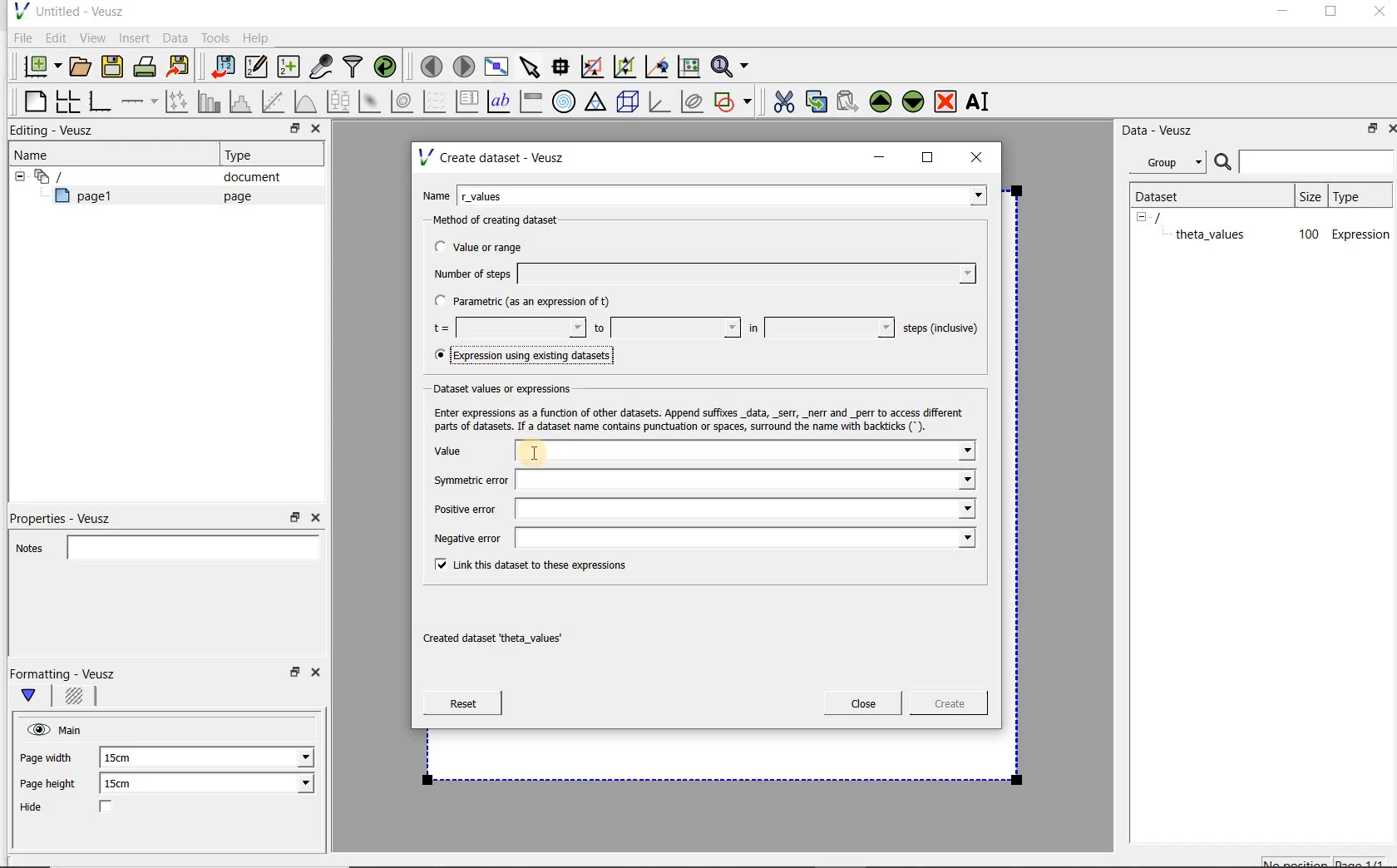  Describe the element at coordinates (214, 38) in the screenshot. I see `Tools` at that location.